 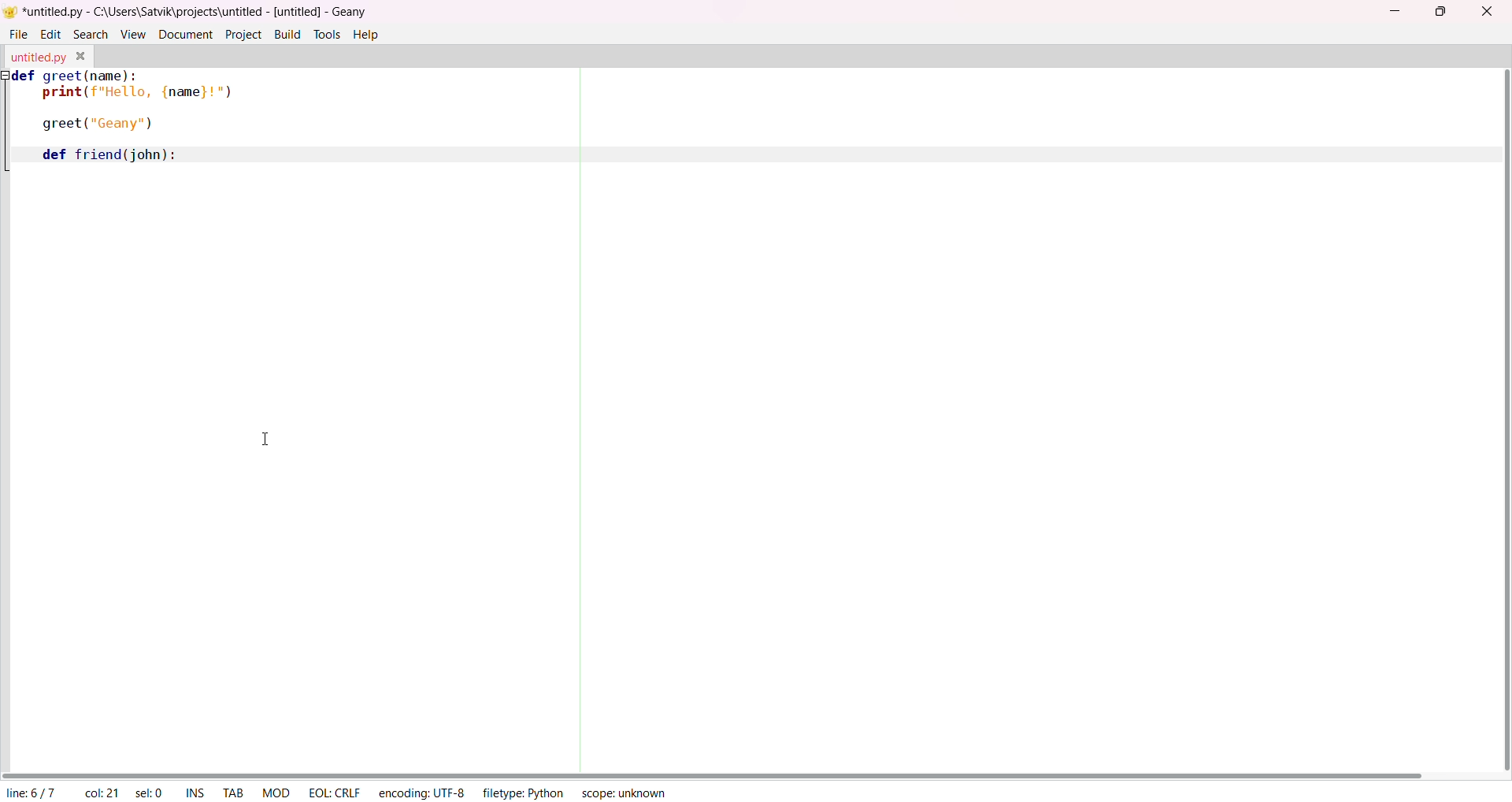 I want to click on project, so click(x=243, y=33).